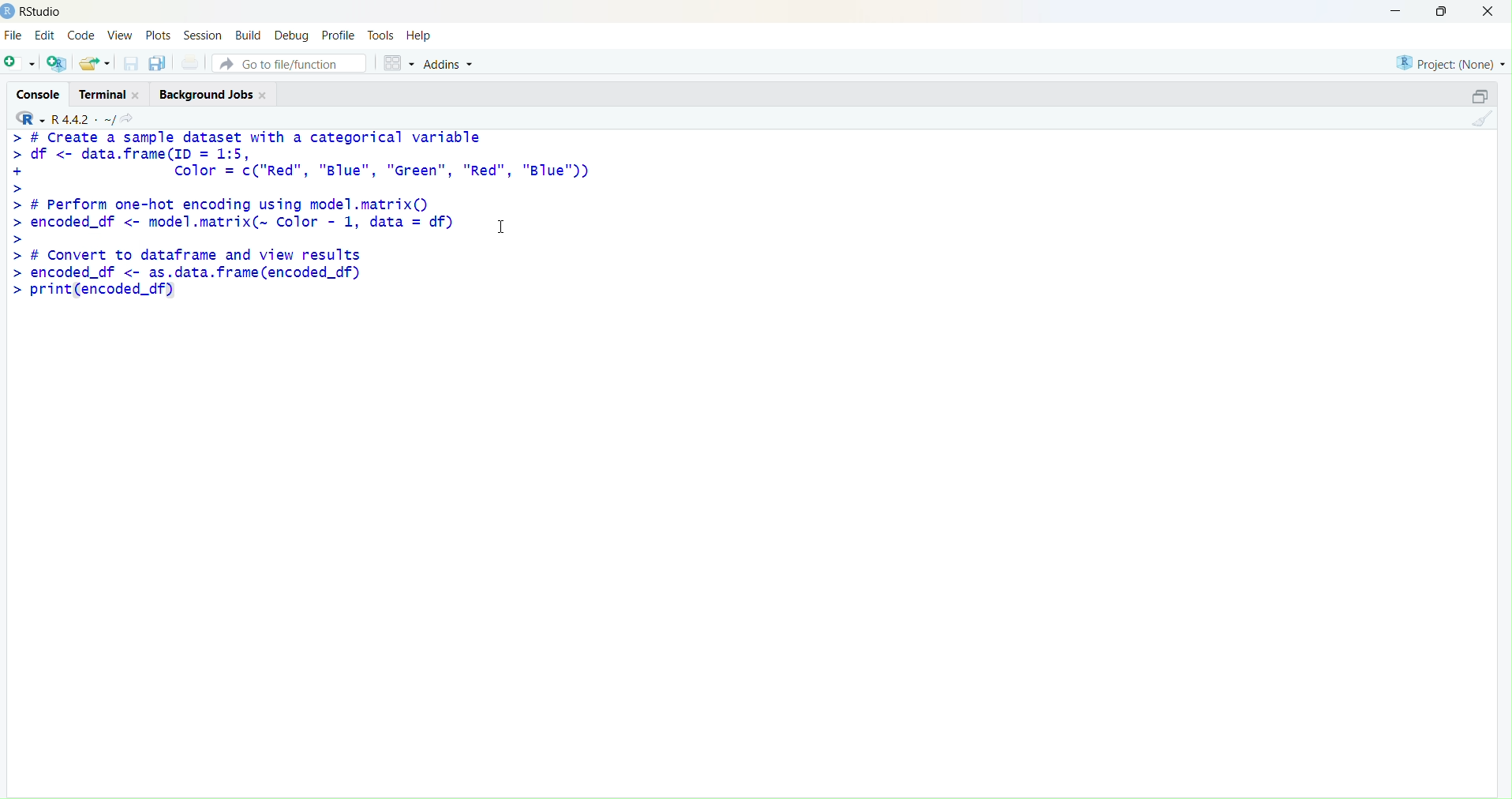  I want to click on terminal, so click(102, 96).